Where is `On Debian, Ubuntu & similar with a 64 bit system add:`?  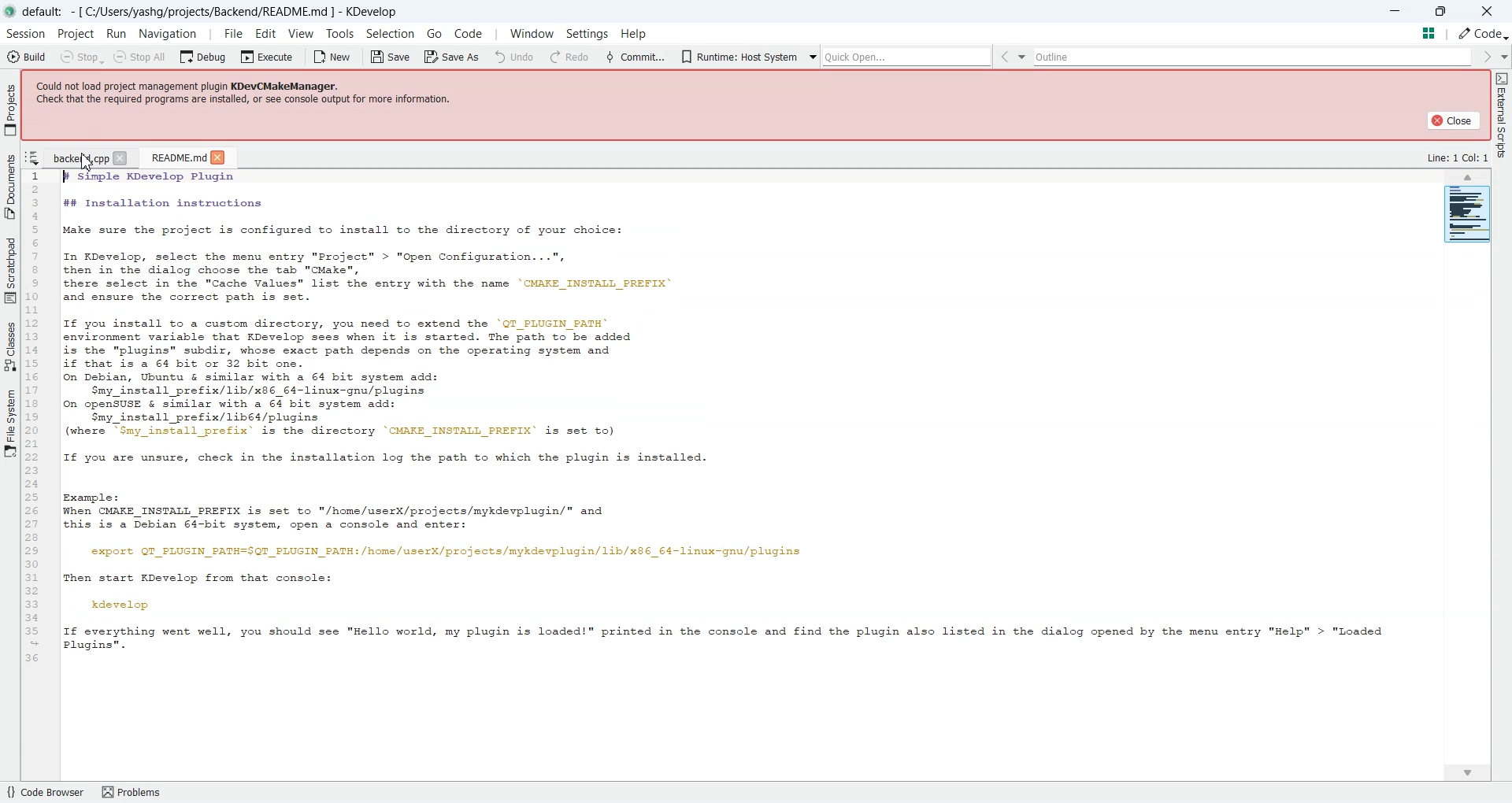 On Debian, Ubuntu & similar with a 64 bit system add: is located at coordinates (255, 376).